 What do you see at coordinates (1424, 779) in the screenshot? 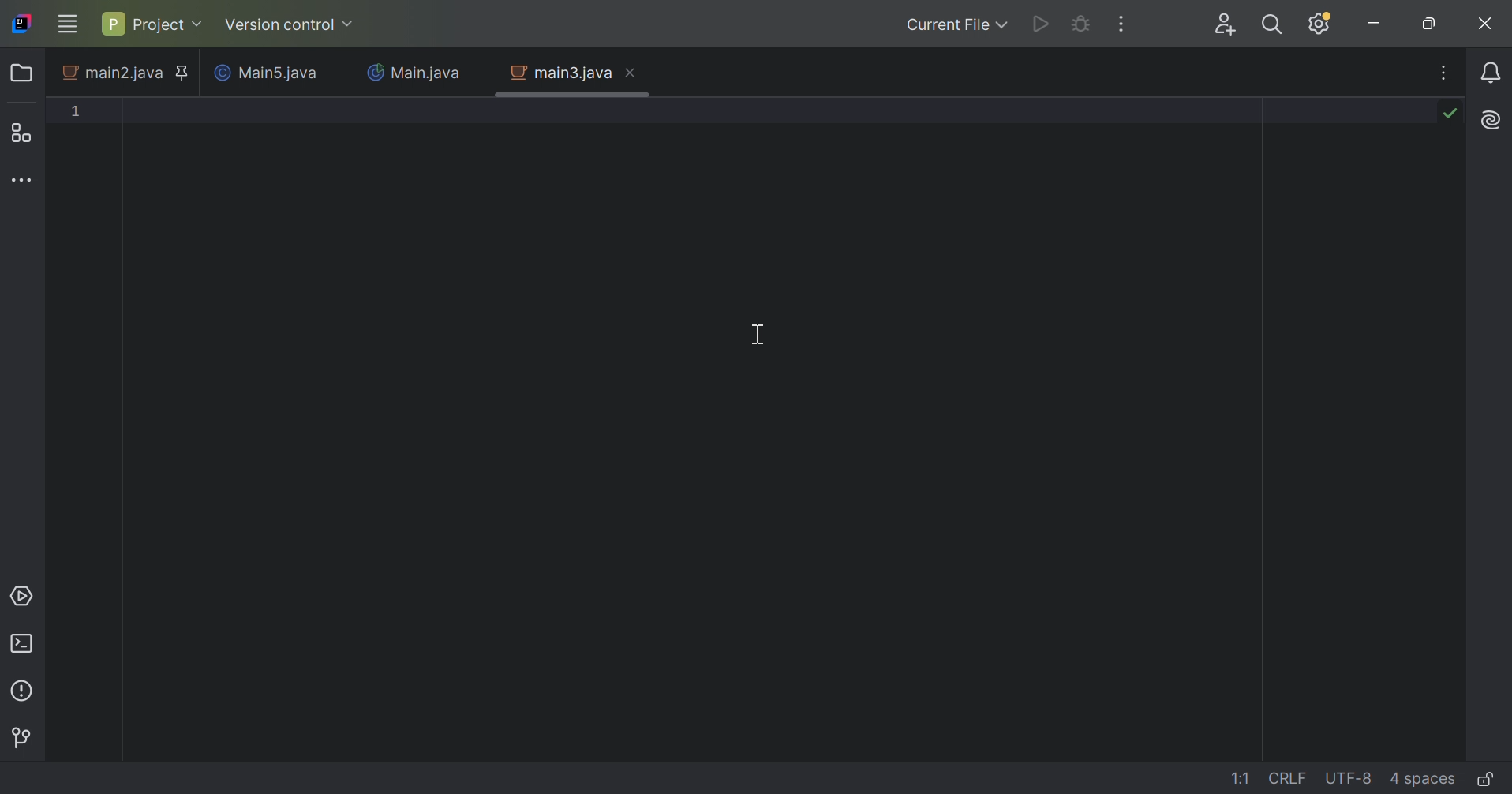
I see `indent: 4 spaces` at bounding box center [1424, 779].